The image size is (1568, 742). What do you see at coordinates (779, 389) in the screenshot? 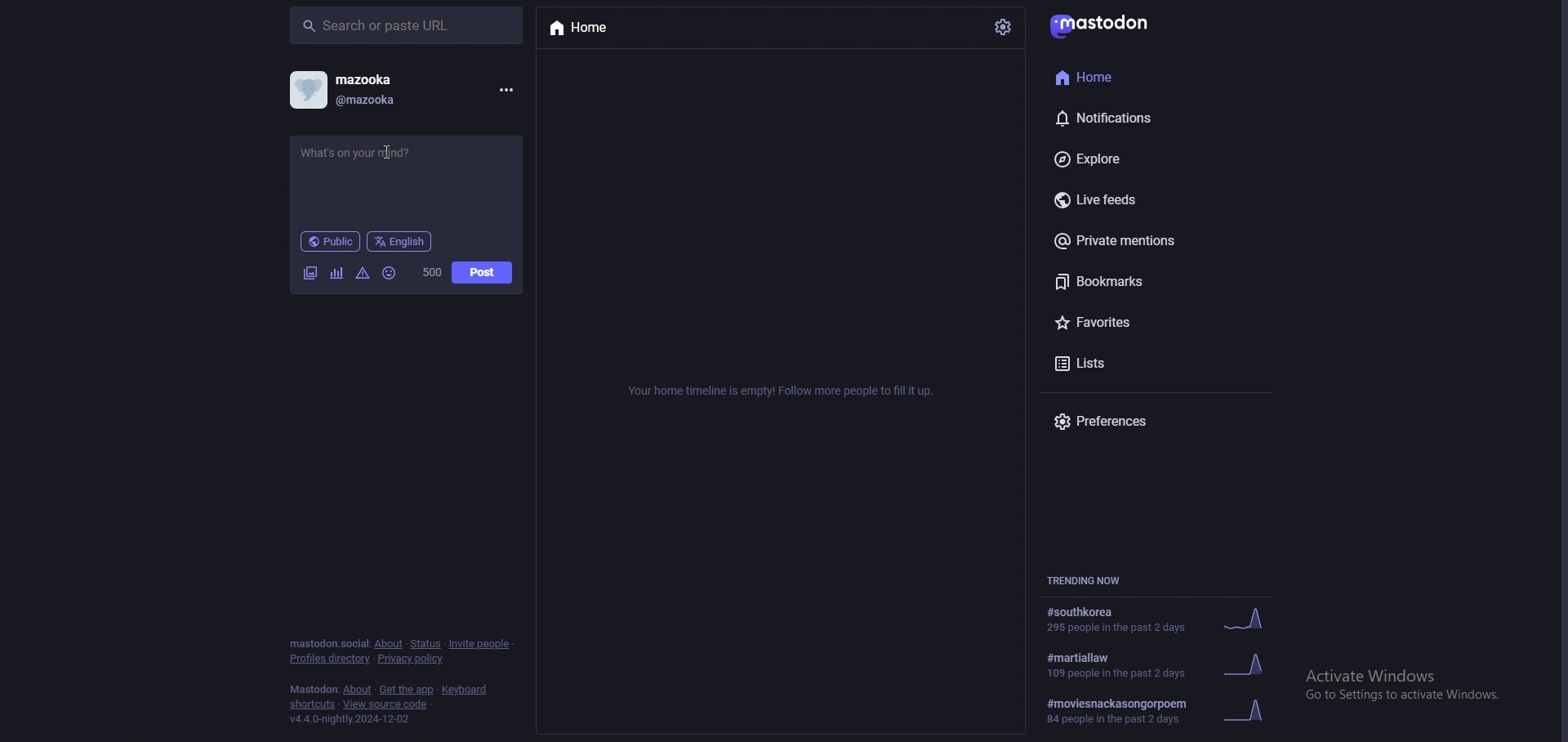
I see `info` at bounding box center [779, 389].